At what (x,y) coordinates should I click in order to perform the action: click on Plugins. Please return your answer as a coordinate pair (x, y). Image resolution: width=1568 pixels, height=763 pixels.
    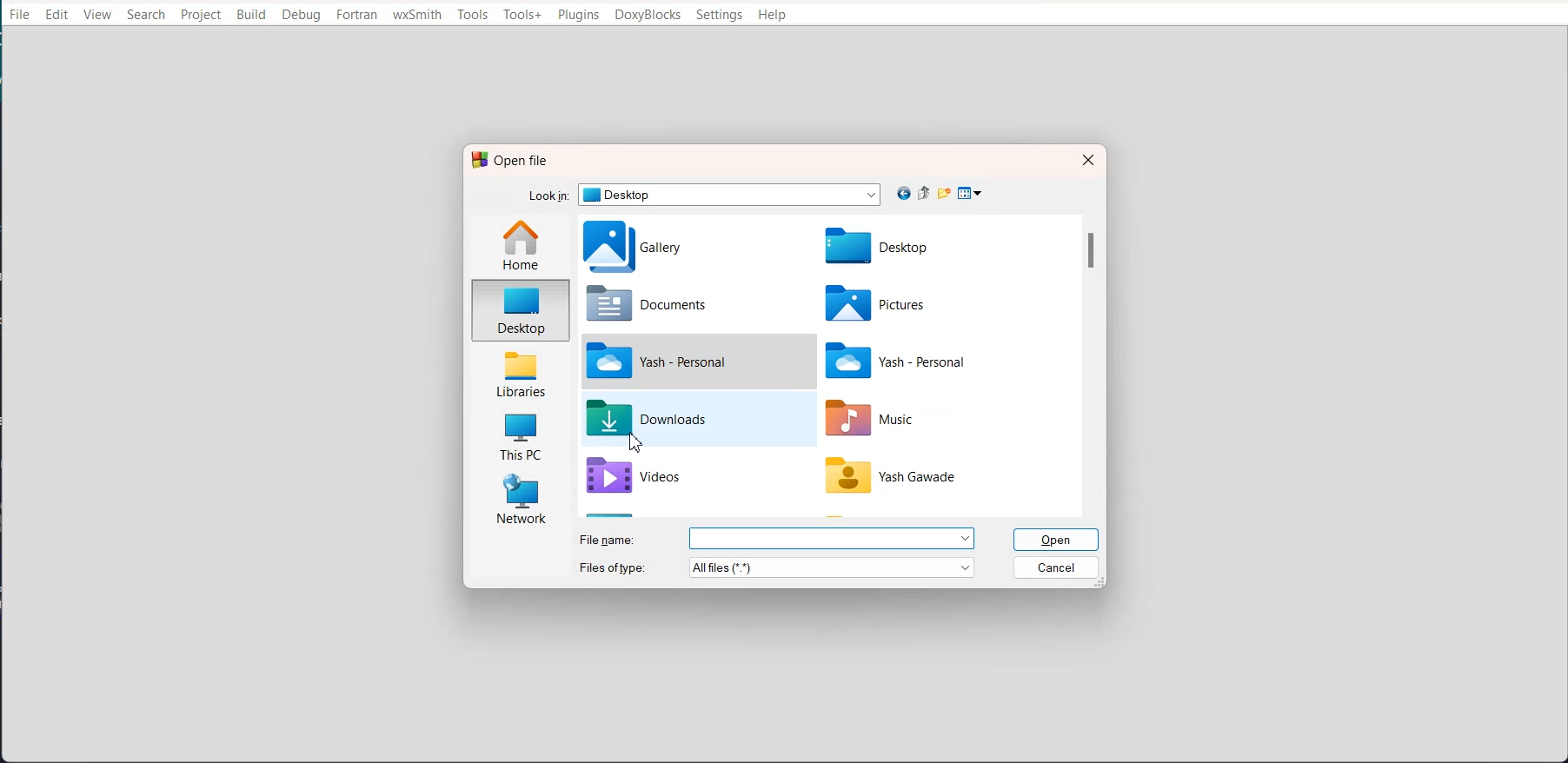
    Looking at the image, I should click on (578, 15).